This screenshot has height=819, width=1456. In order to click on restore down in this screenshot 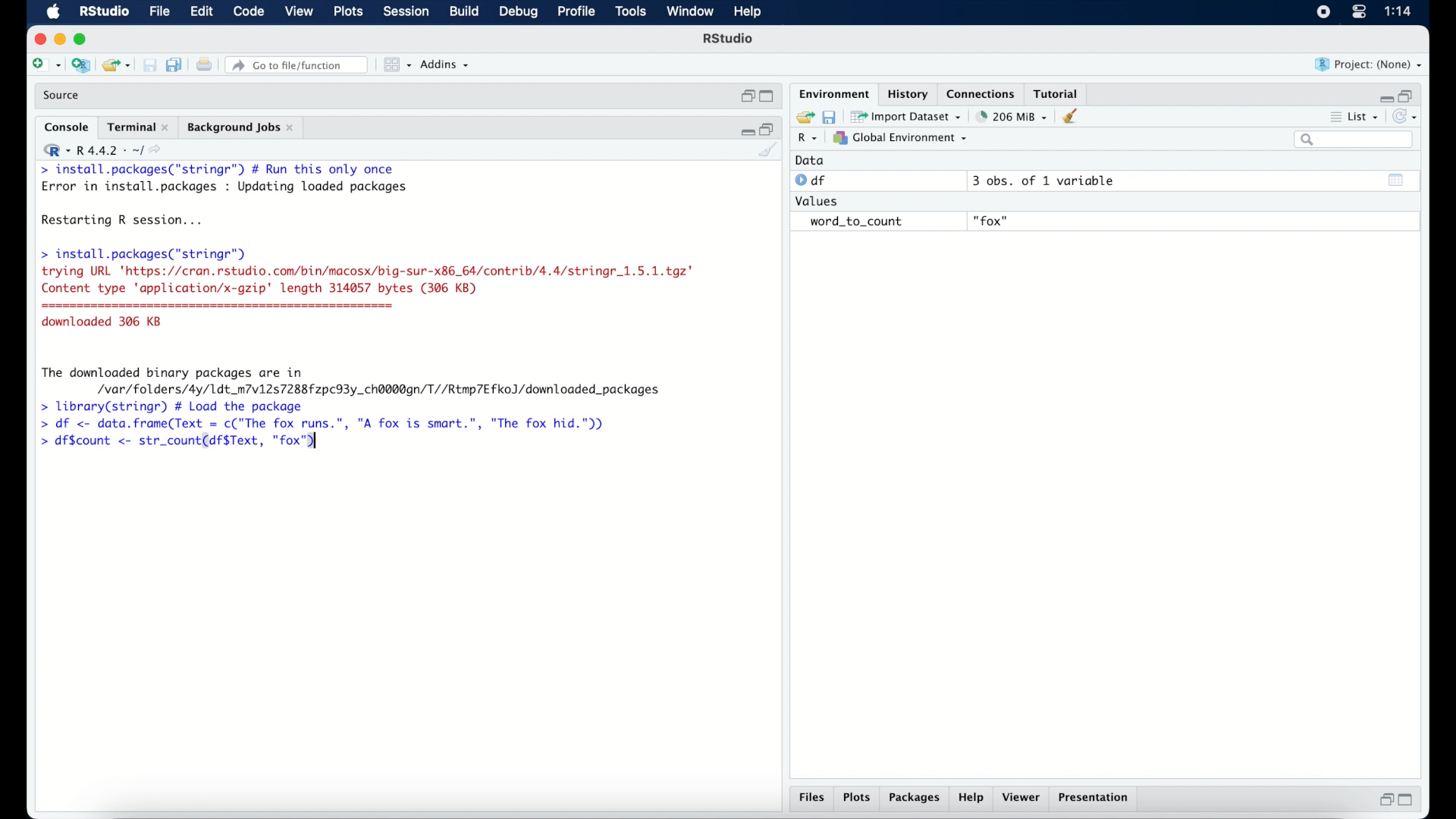, I will do `click(768, 128)`.